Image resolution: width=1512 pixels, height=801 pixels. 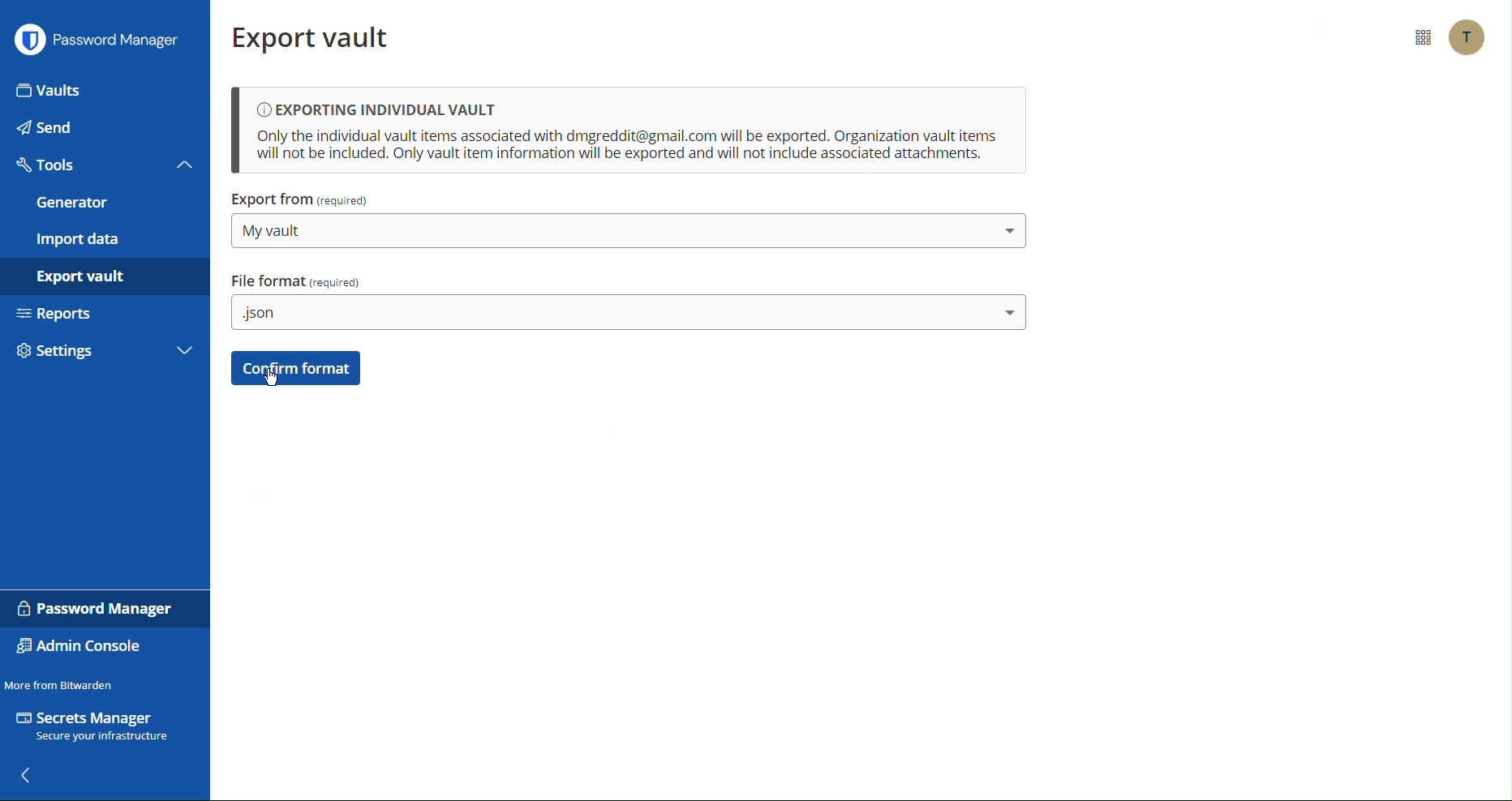 I want to click on Export, so click(x=85, y=275).